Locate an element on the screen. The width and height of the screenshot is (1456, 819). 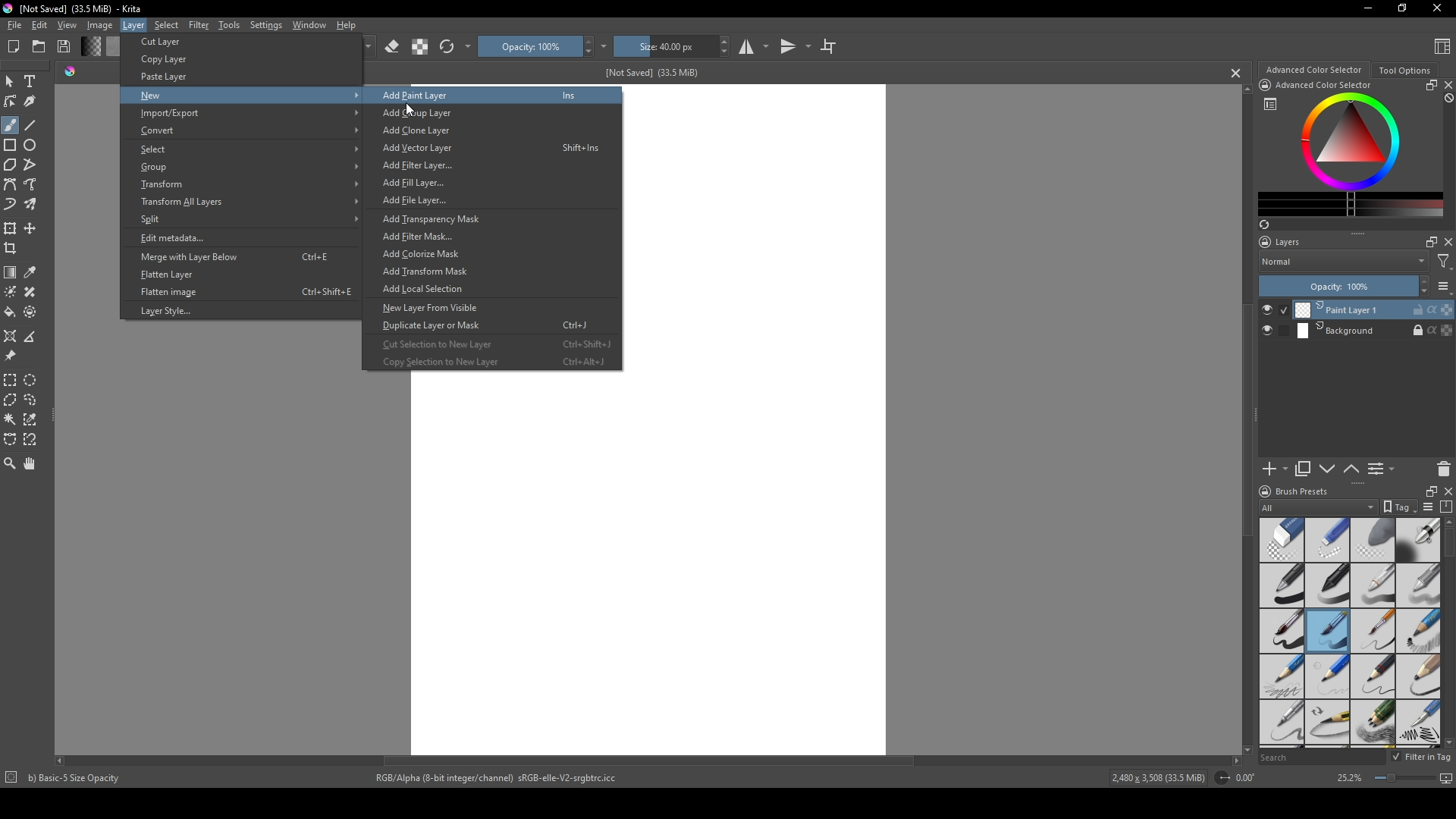
ellipse is located at coordinates (31, 145).